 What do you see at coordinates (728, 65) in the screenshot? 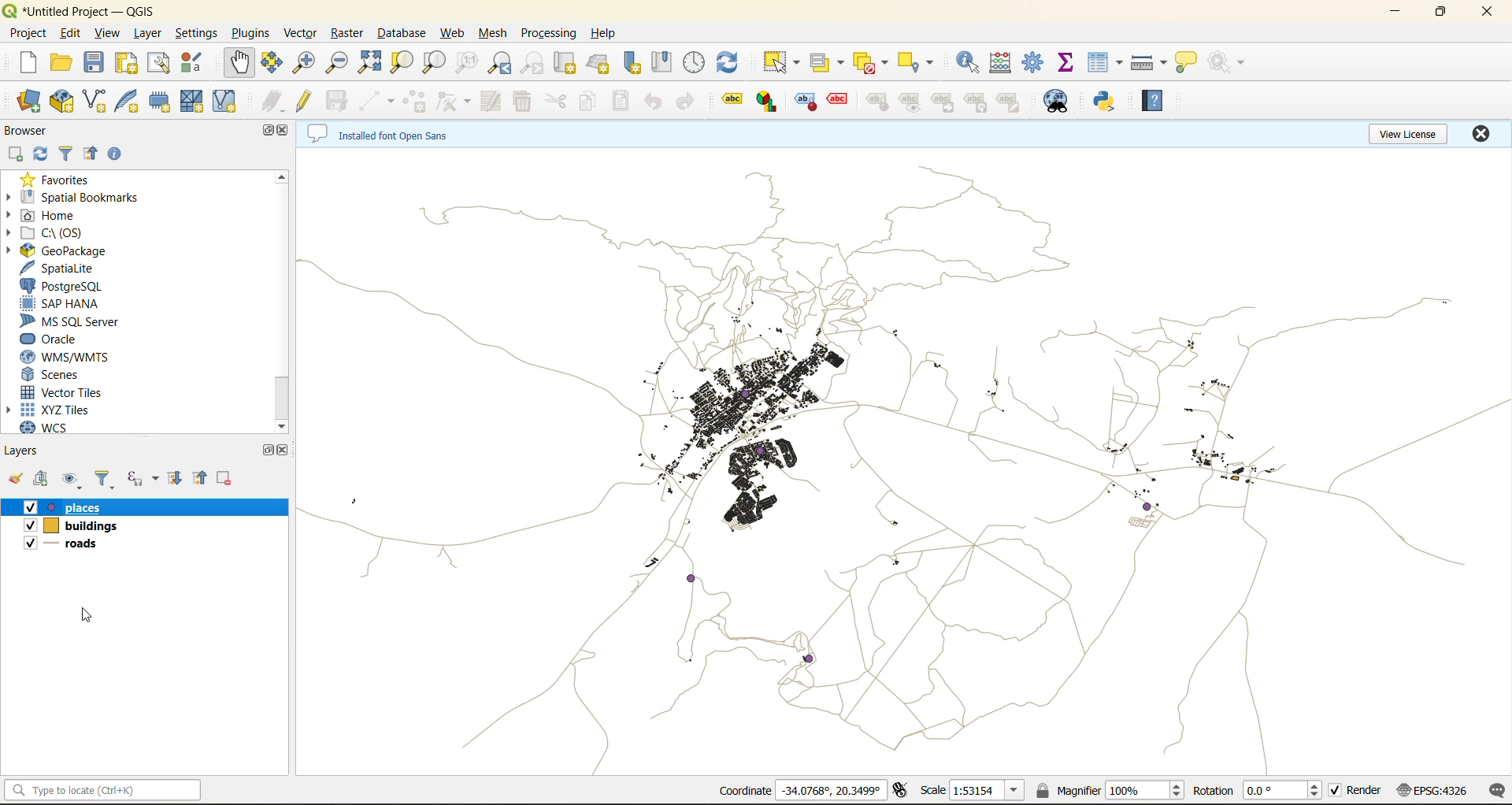
I see `refresh` at bounding box center [728, 65].